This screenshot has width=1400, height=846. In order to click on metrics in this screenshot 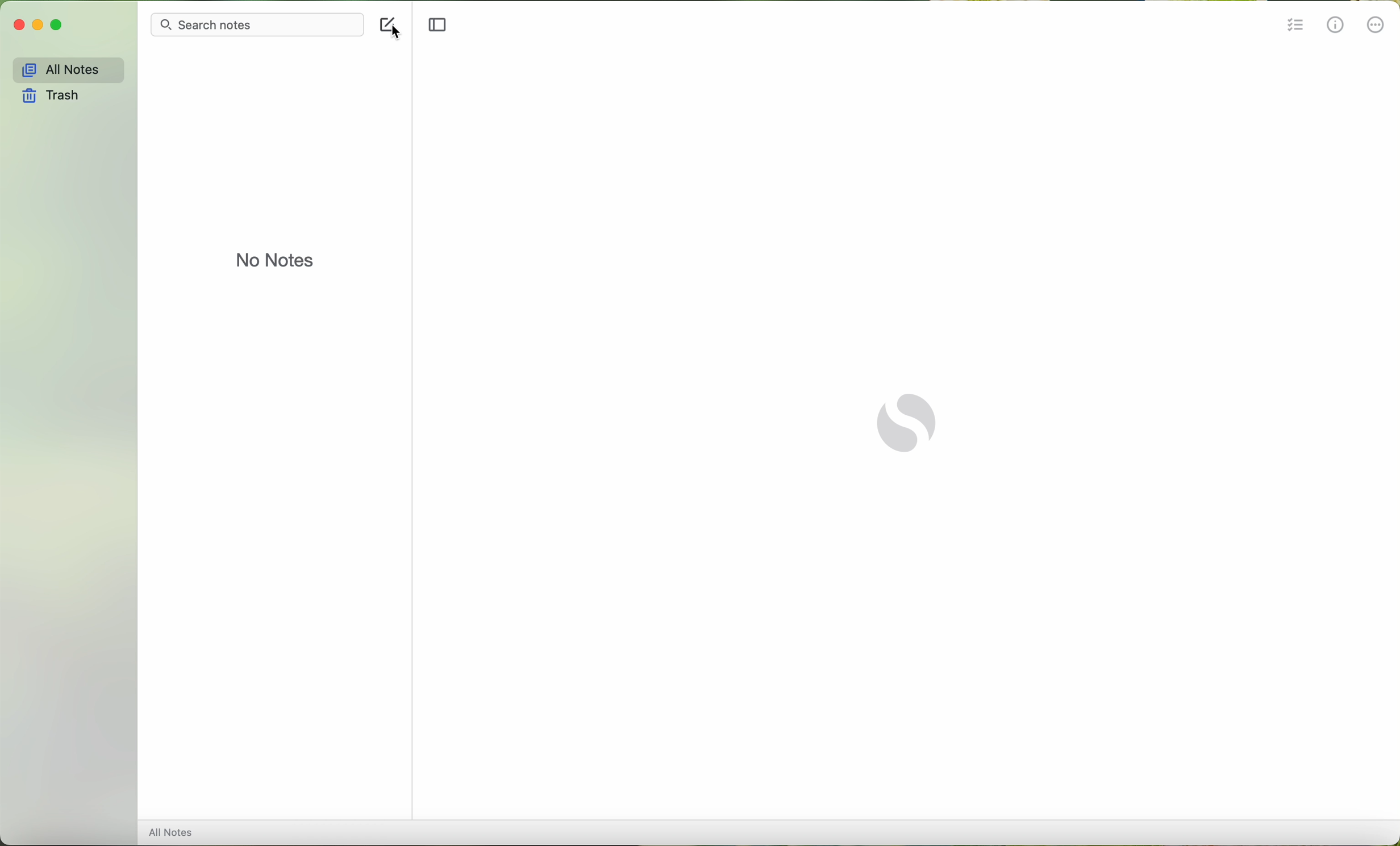, I will do `click(1335, 27)`.